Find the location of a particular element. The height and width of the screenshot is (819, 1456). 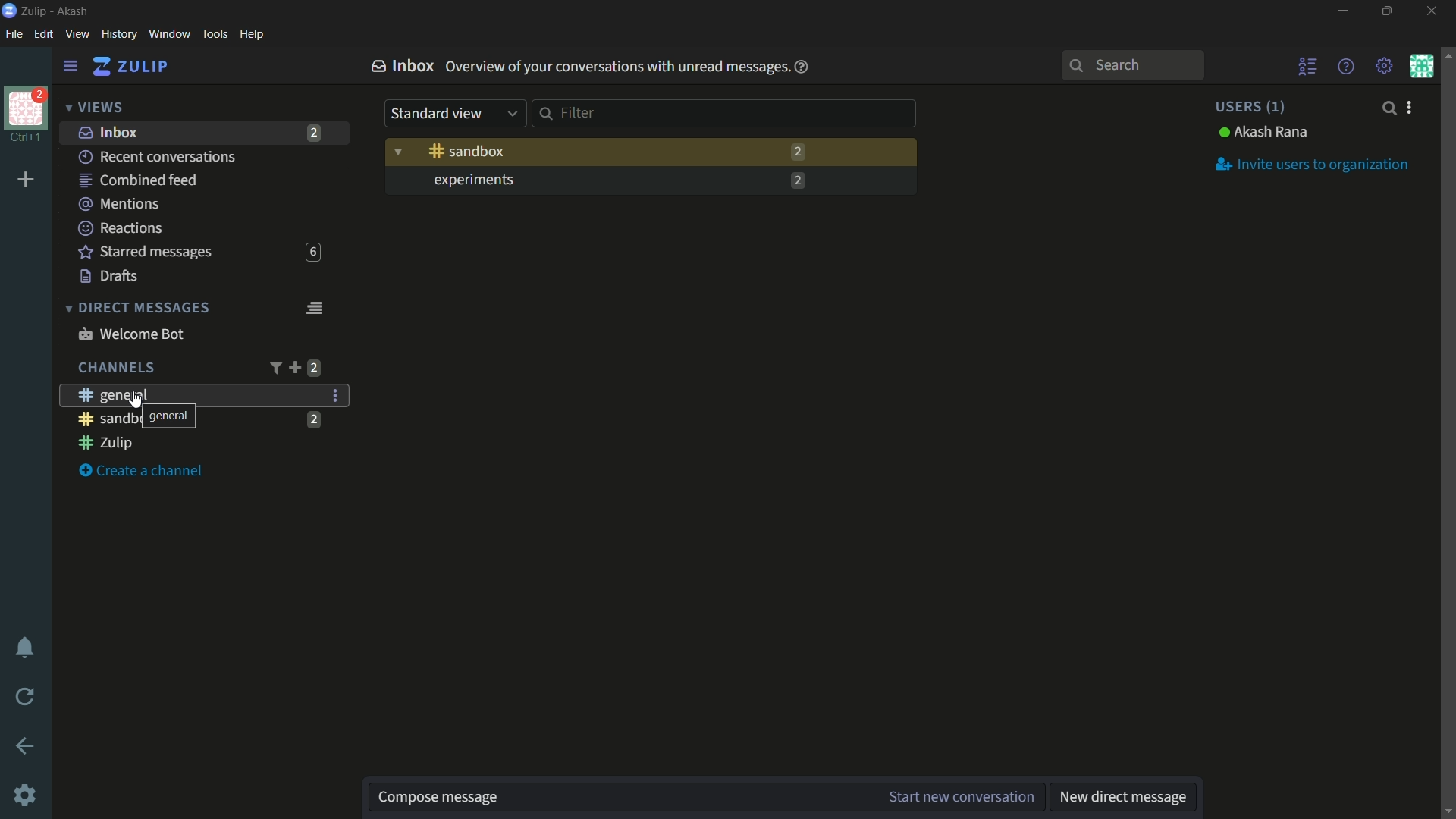

reactions is located at coordinates (120, 227).